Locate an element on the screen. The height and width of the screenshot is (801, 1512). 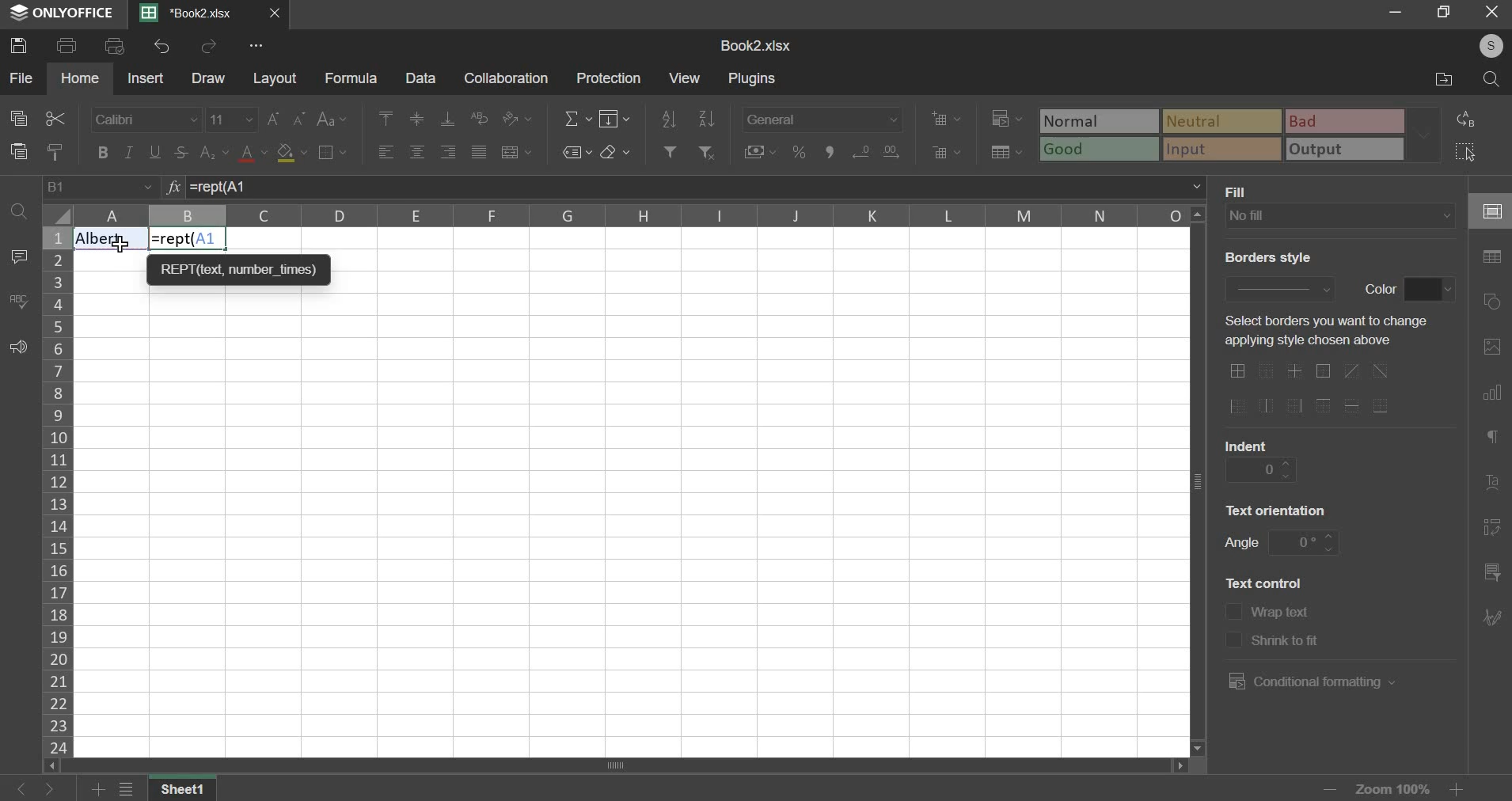
cell name is located at coordinates (101, 187).